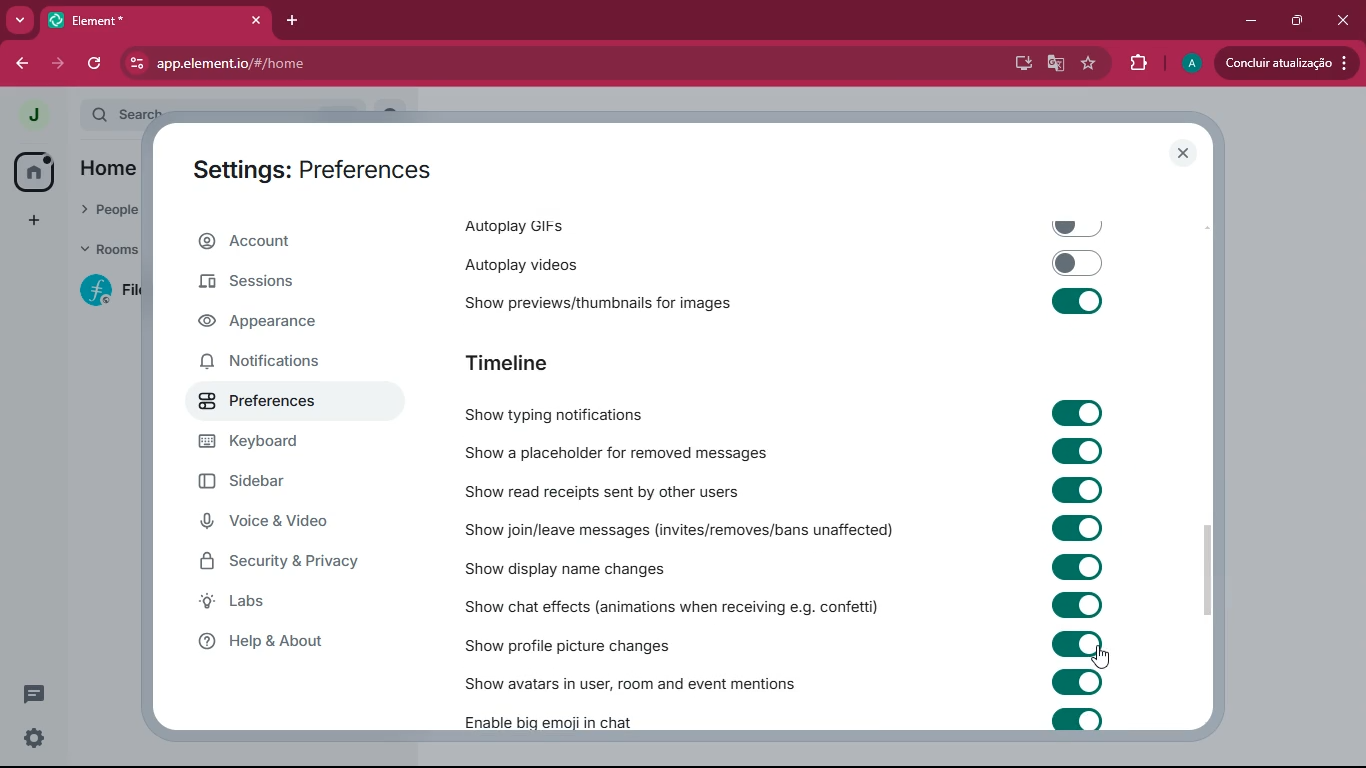  What do you see at coordinates (785, 489) in the screenshot?
I see `Show read receipts sent by other users` at bounding box center [785, 489].